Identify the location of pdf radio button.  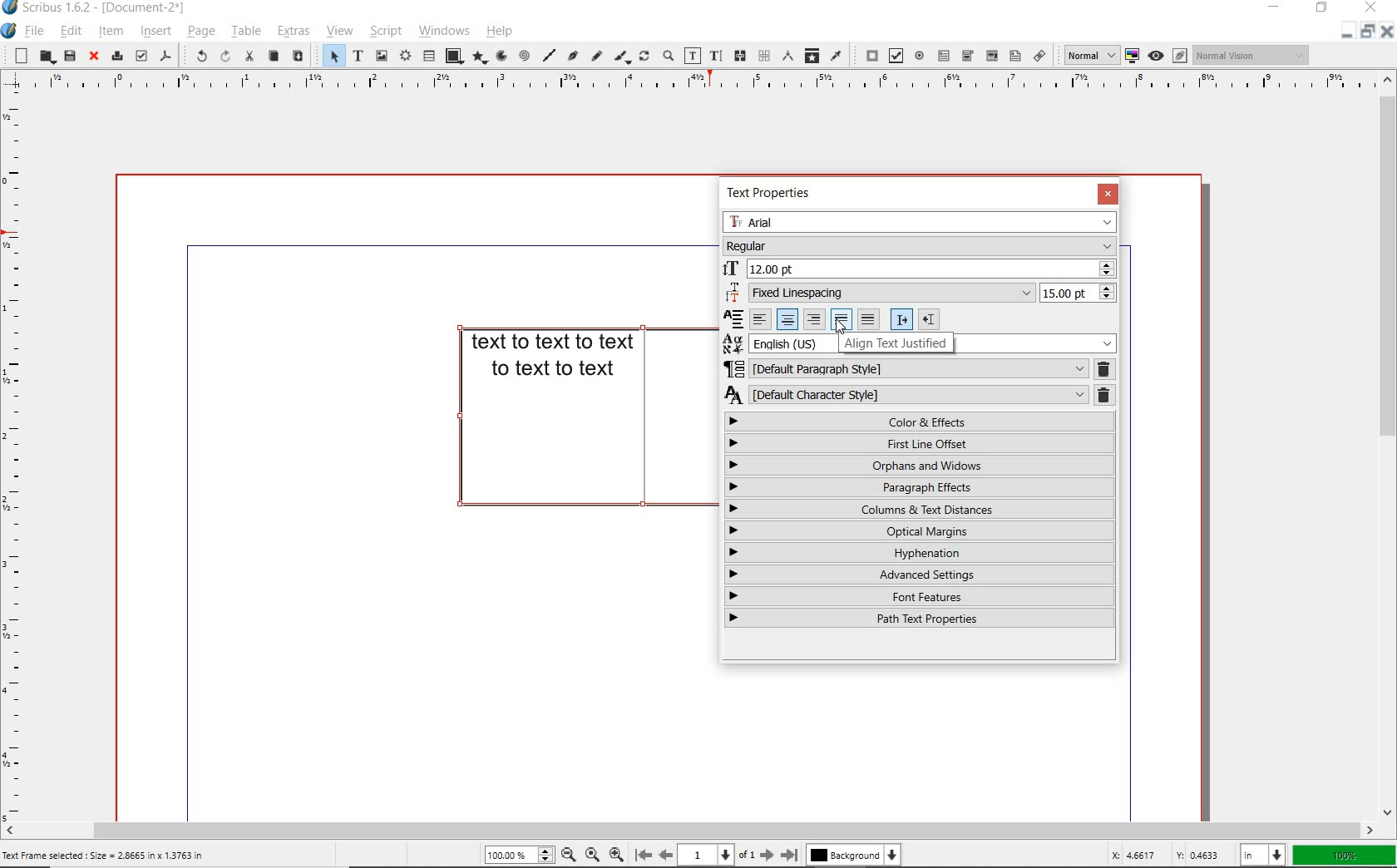
(919, 56).